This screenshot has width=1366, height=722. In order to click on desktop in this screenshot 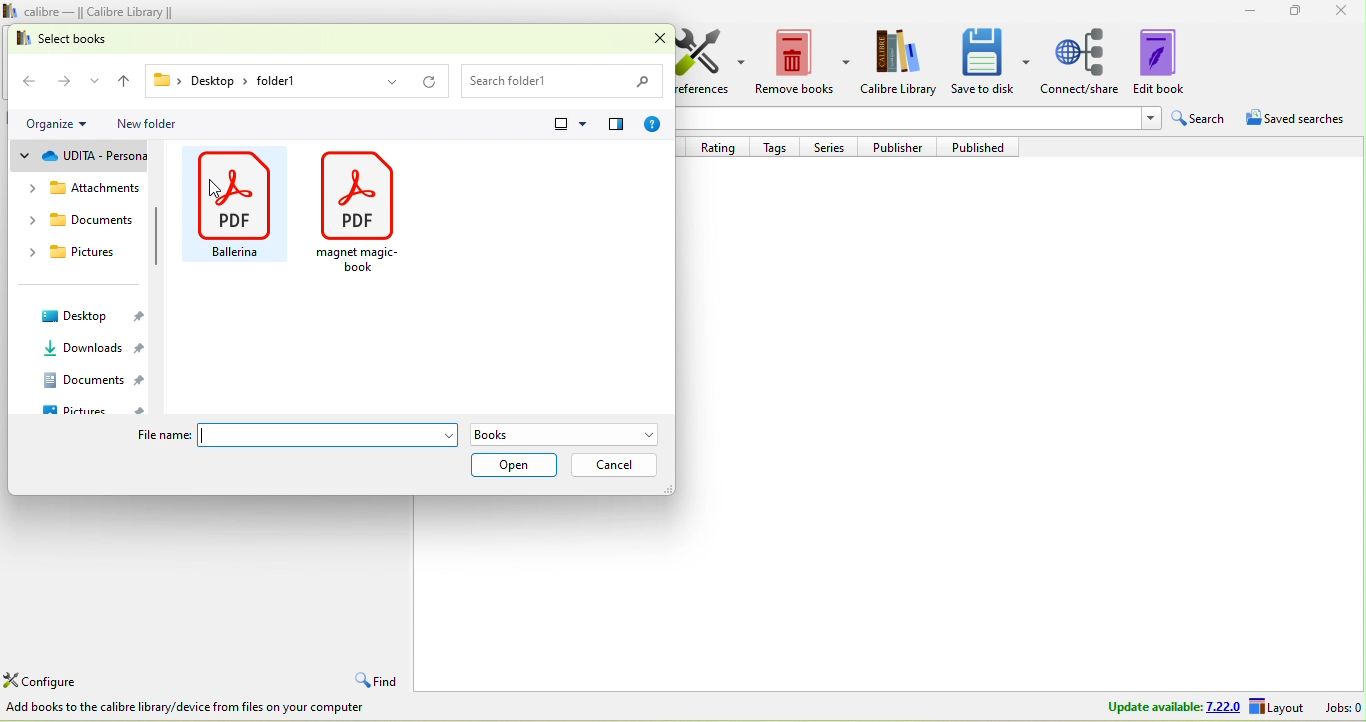, I will do `click(88, 317)`.